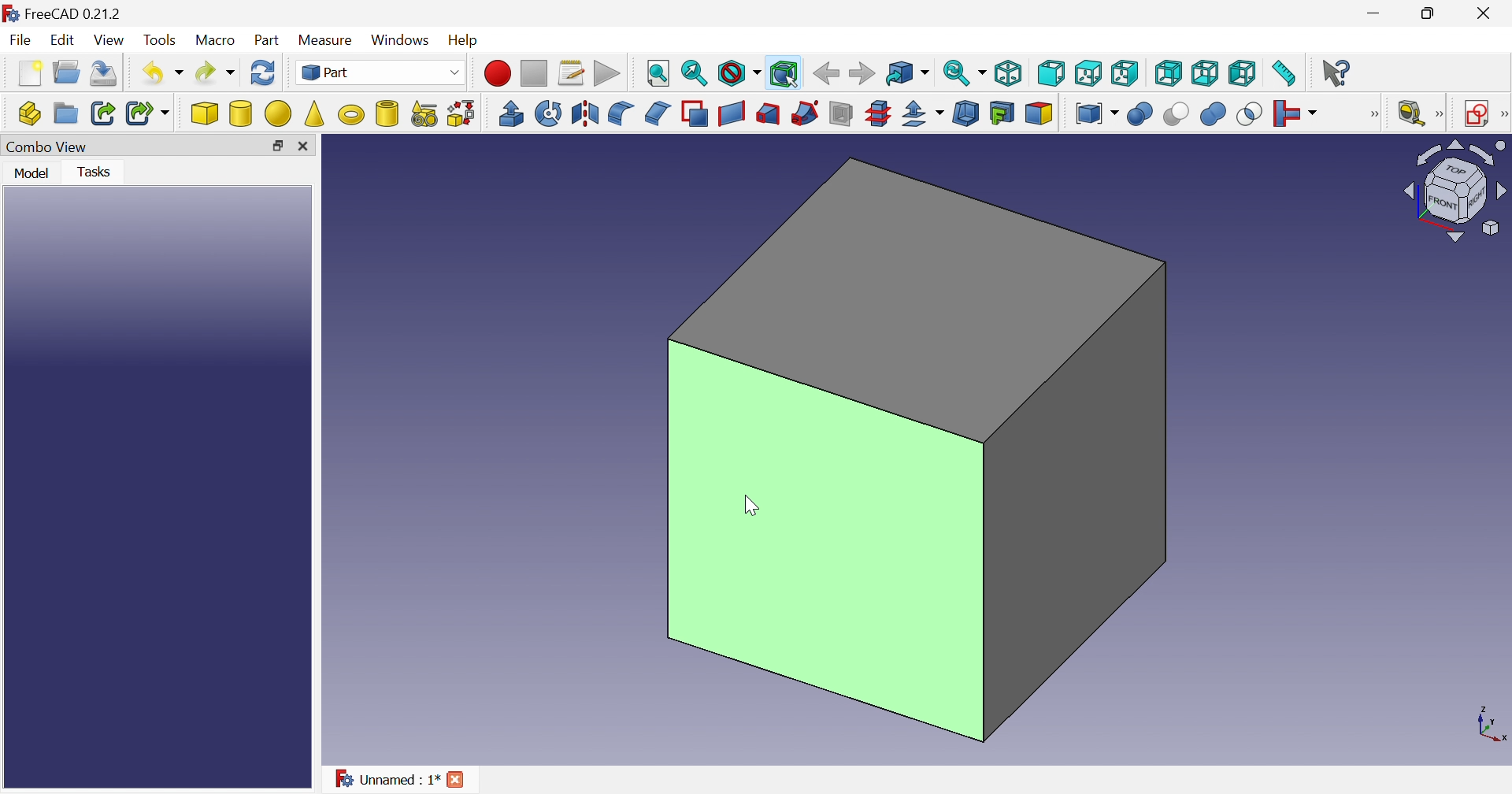 The image size is (1512, 794). Describe the element at coordinates (750, 507) in the screenshot. I see `cursor` at that location.